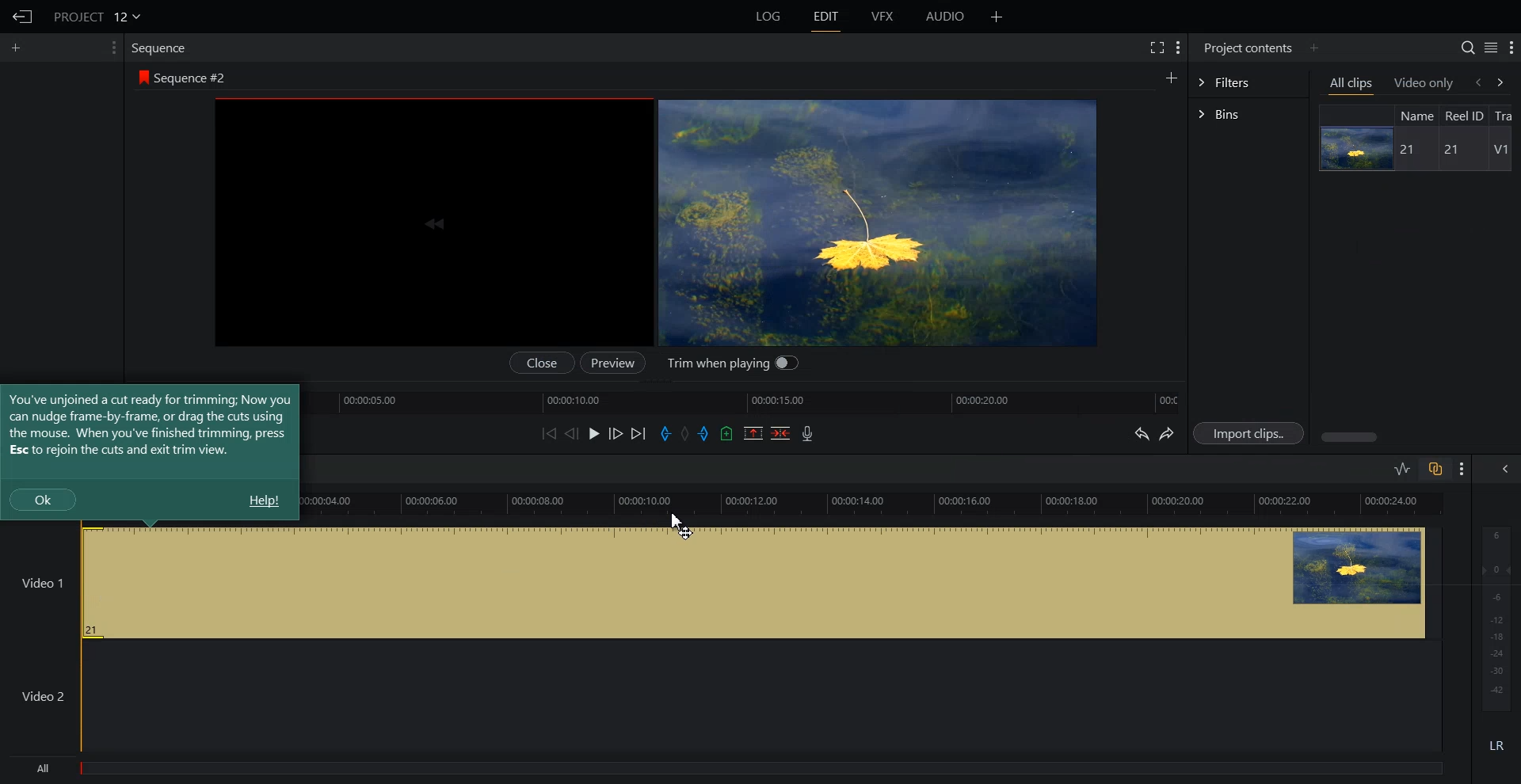 Image resolution: width=1521 pixels, height=784 pixels. I want to click on Timeline, so click(879, 504).